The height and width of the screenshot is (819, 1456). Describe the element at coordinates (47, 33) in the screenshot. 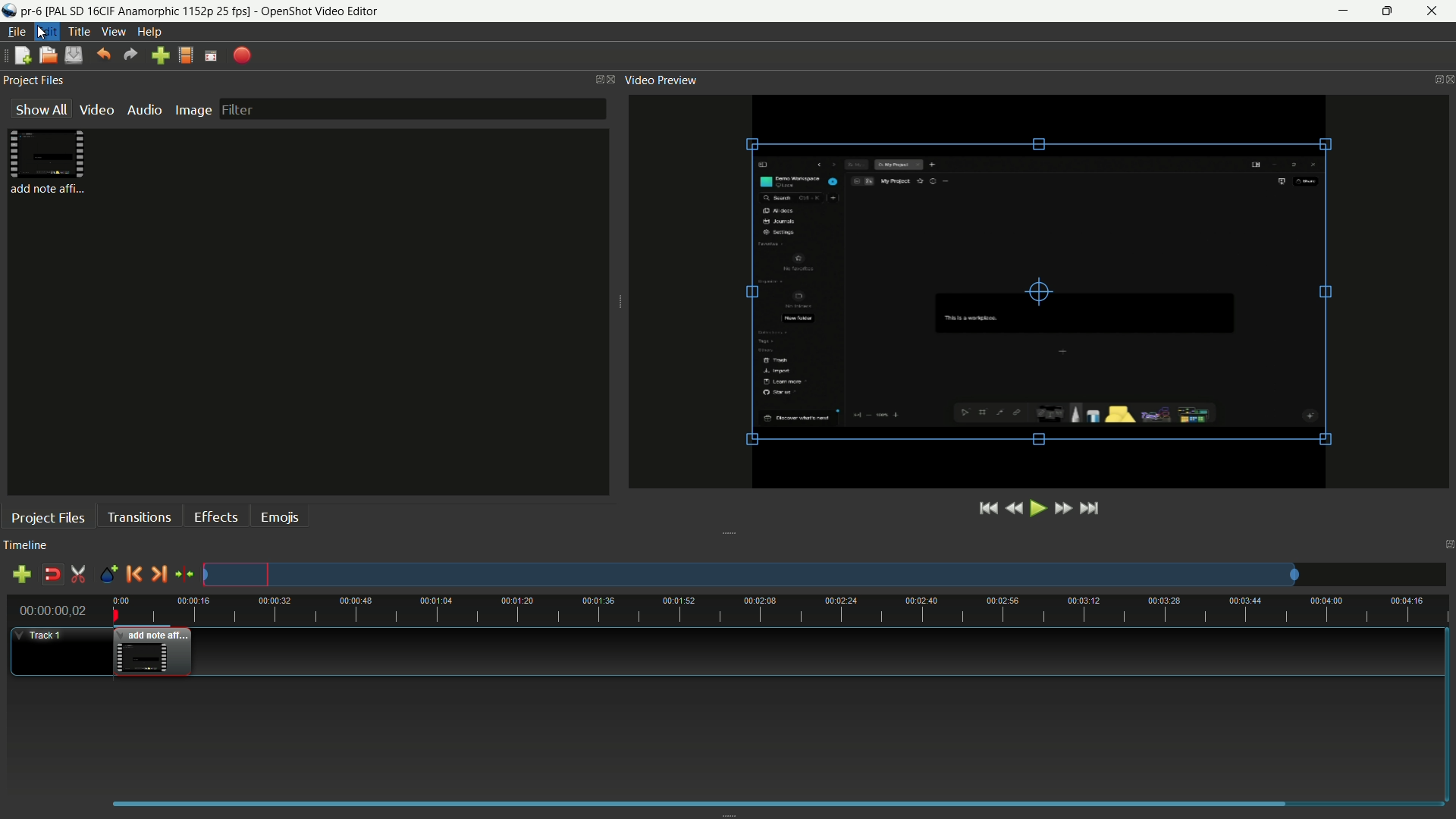

I see `edit menu` at that location.